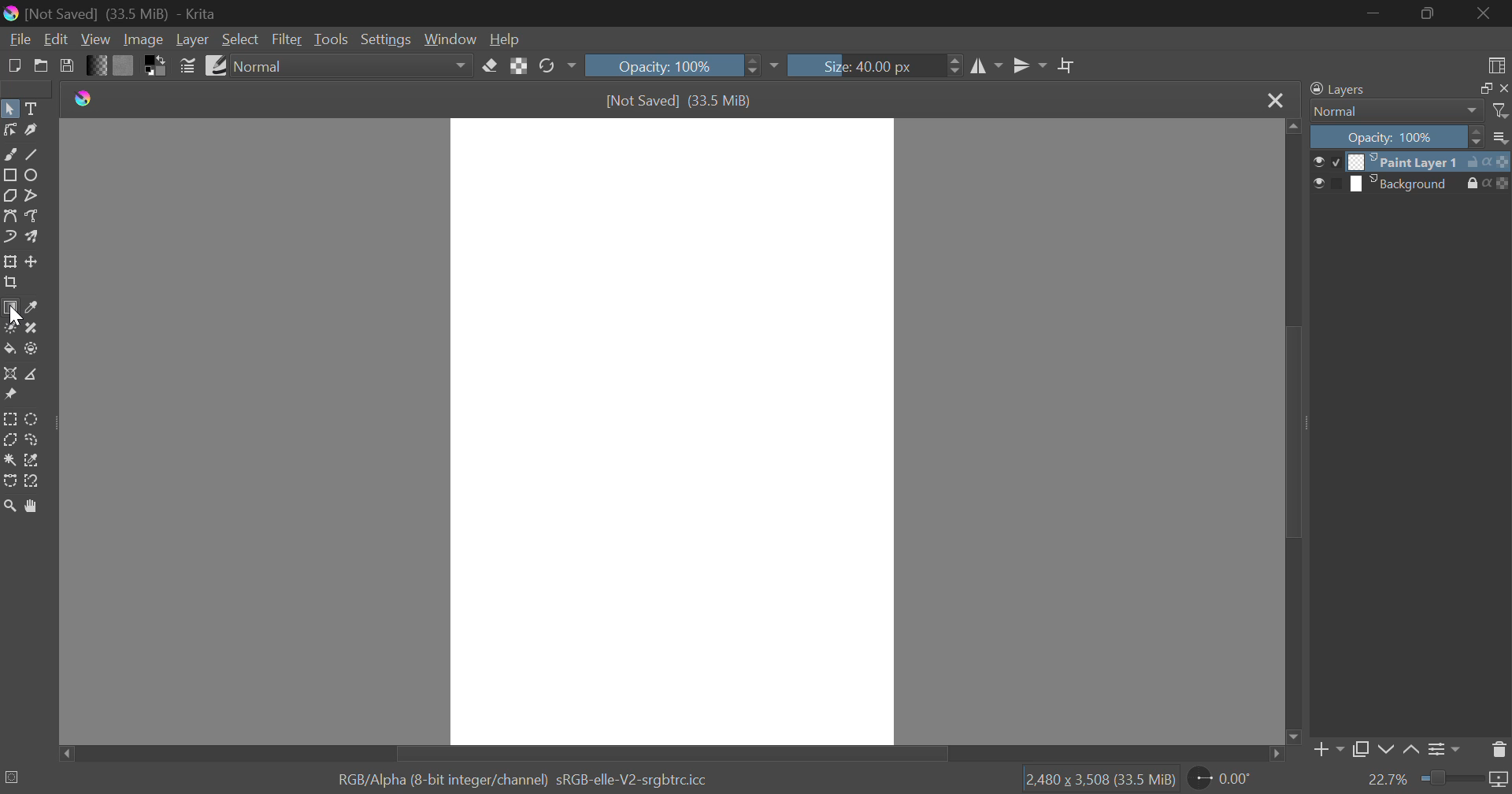 This screenshot has width=1512, height=794. What do you see at coordinates (672, 430) in the screenshot?
I see `Document Workspace` at bounding box center [672, 430].